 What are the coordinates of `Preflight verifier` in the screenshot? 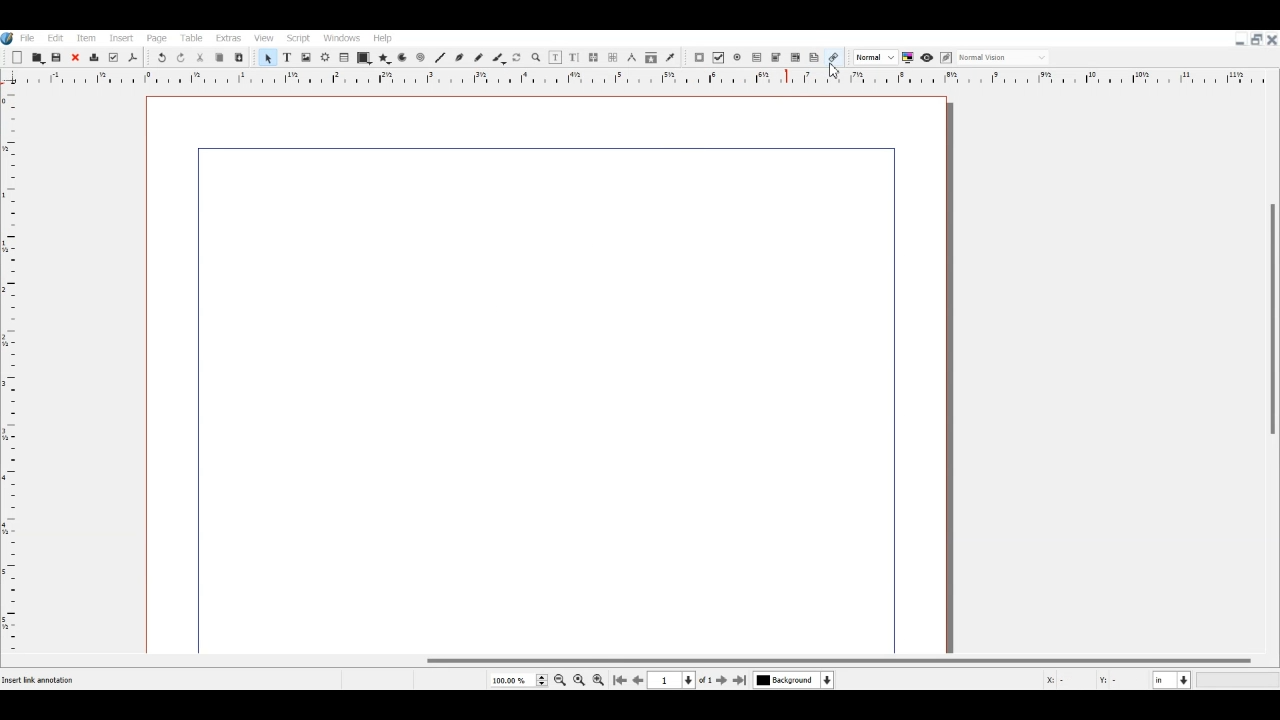 It's located at (113, 58).